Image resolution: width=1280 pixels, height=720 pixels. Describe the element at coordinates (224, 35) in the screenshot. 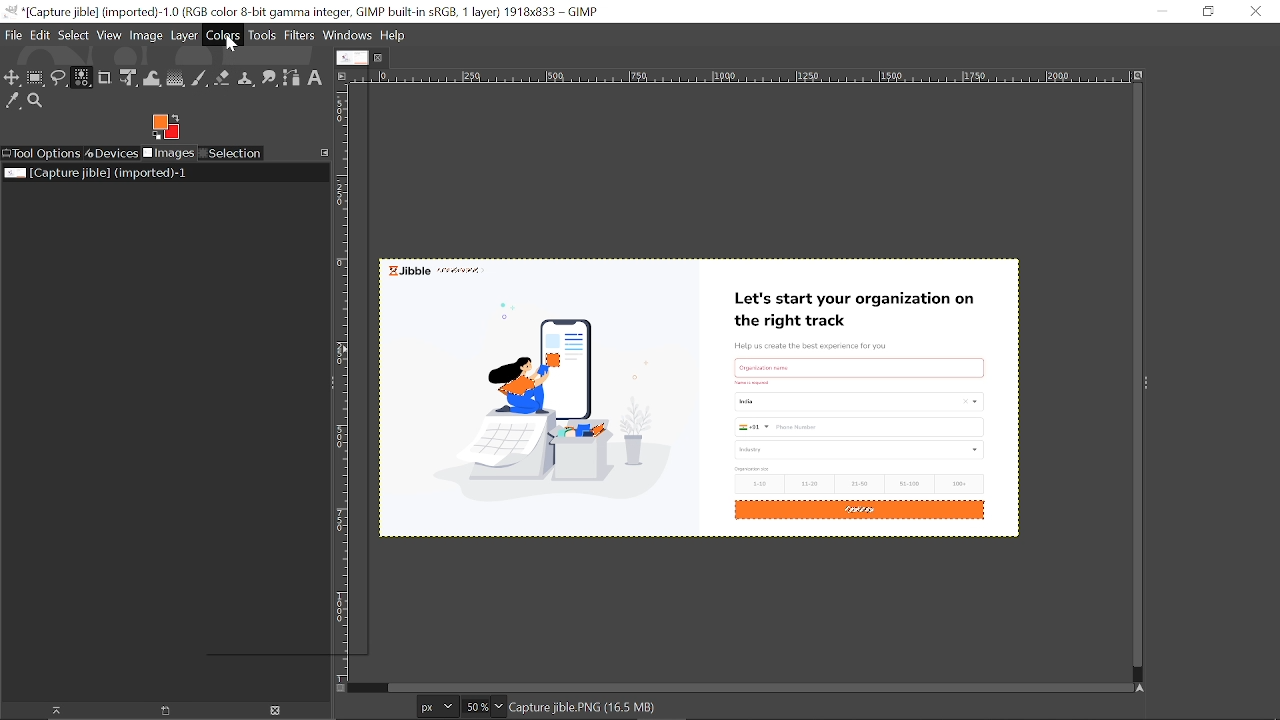

I see `Colors` at that location.